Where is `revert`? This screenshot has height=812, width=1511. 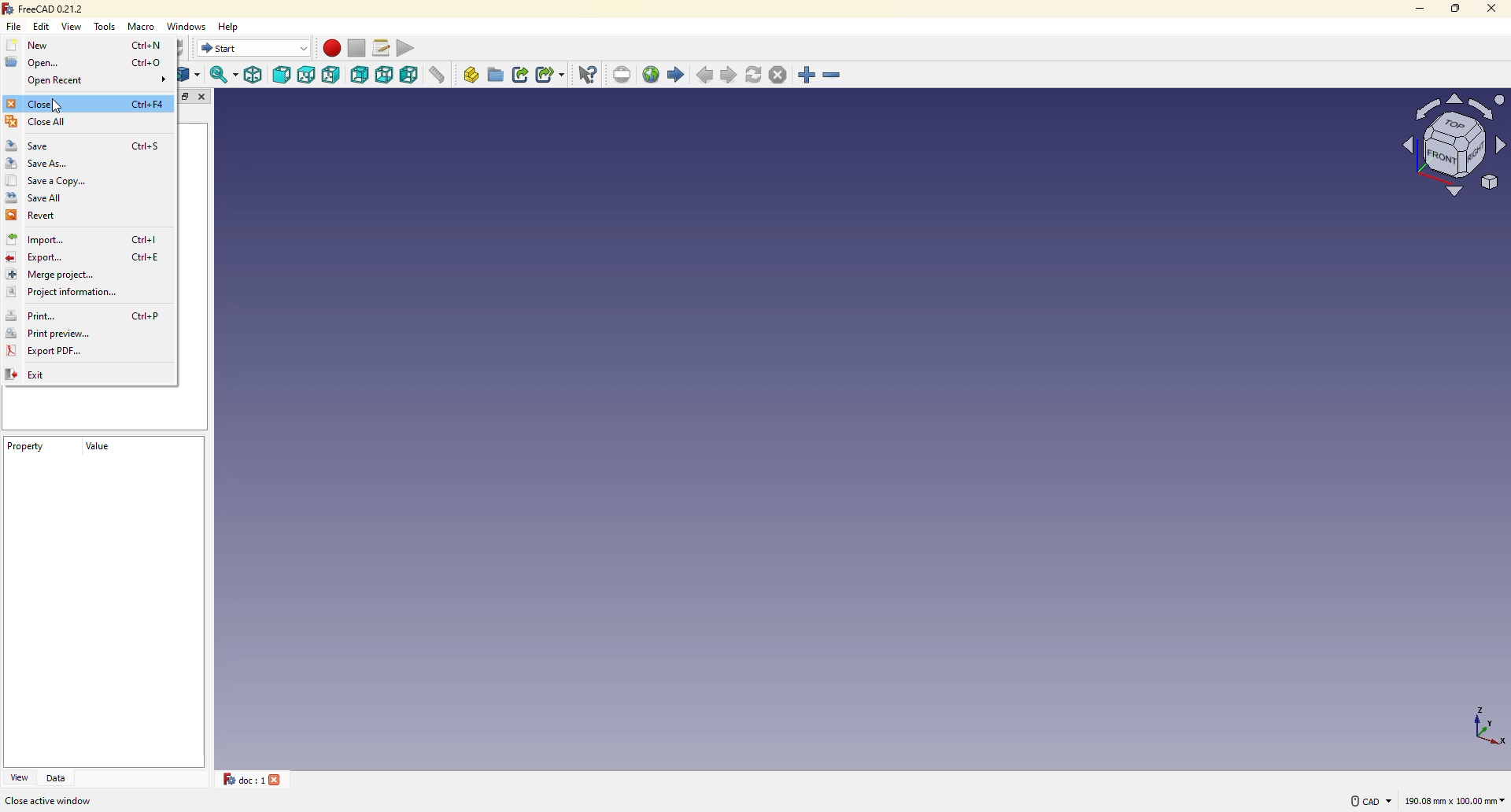 revert is located at coordinates (35, 216).